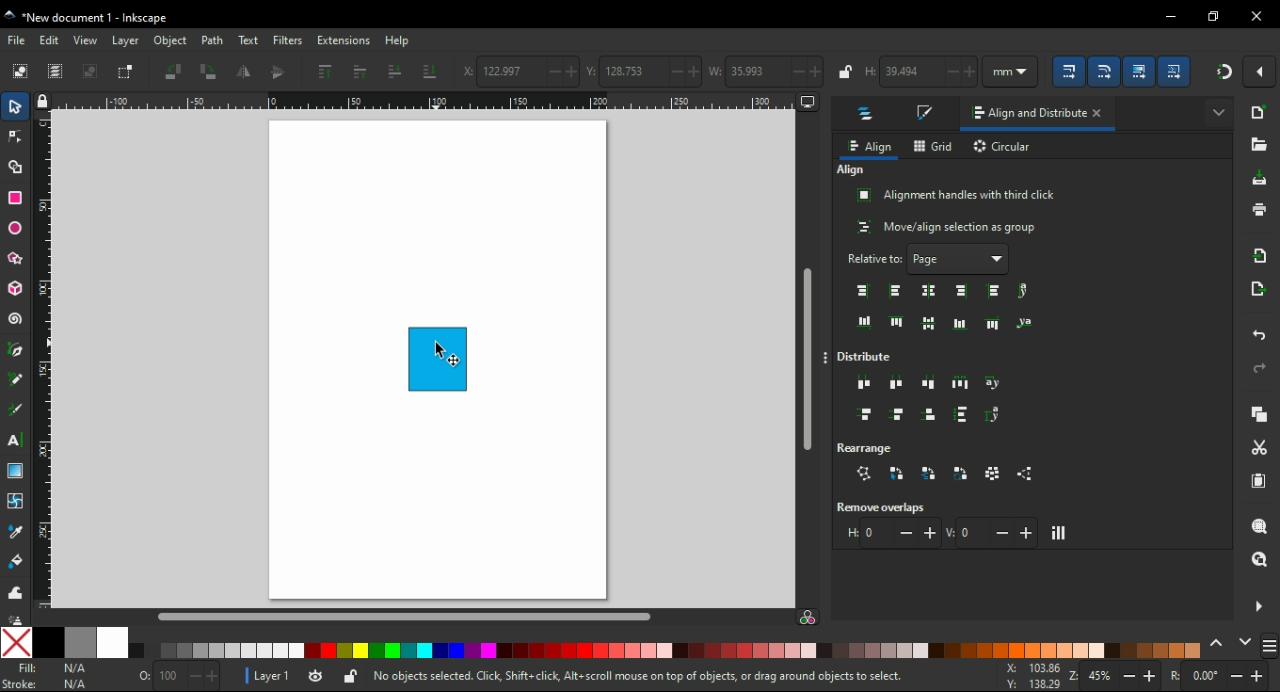 The width and height of the screenshot is (1280, 692). What do you see at coordinates (863, 413) in the screenshot?
I see `distribute vertically with even spacing between top edges` at bounding box center [863, 413].